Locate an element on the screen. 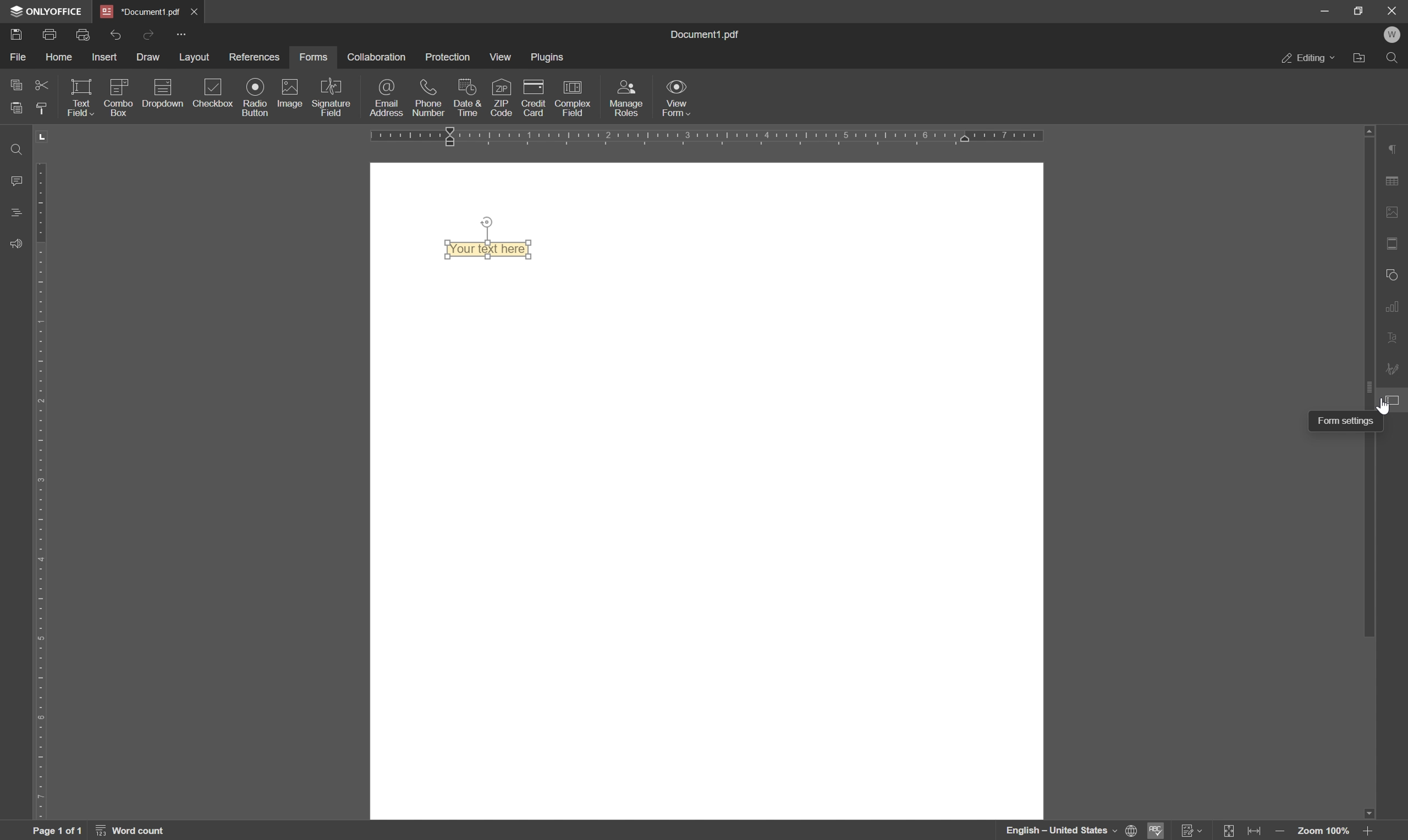 This screenshot has width=1408, height=840. email address is located at coordinates (389, 99).